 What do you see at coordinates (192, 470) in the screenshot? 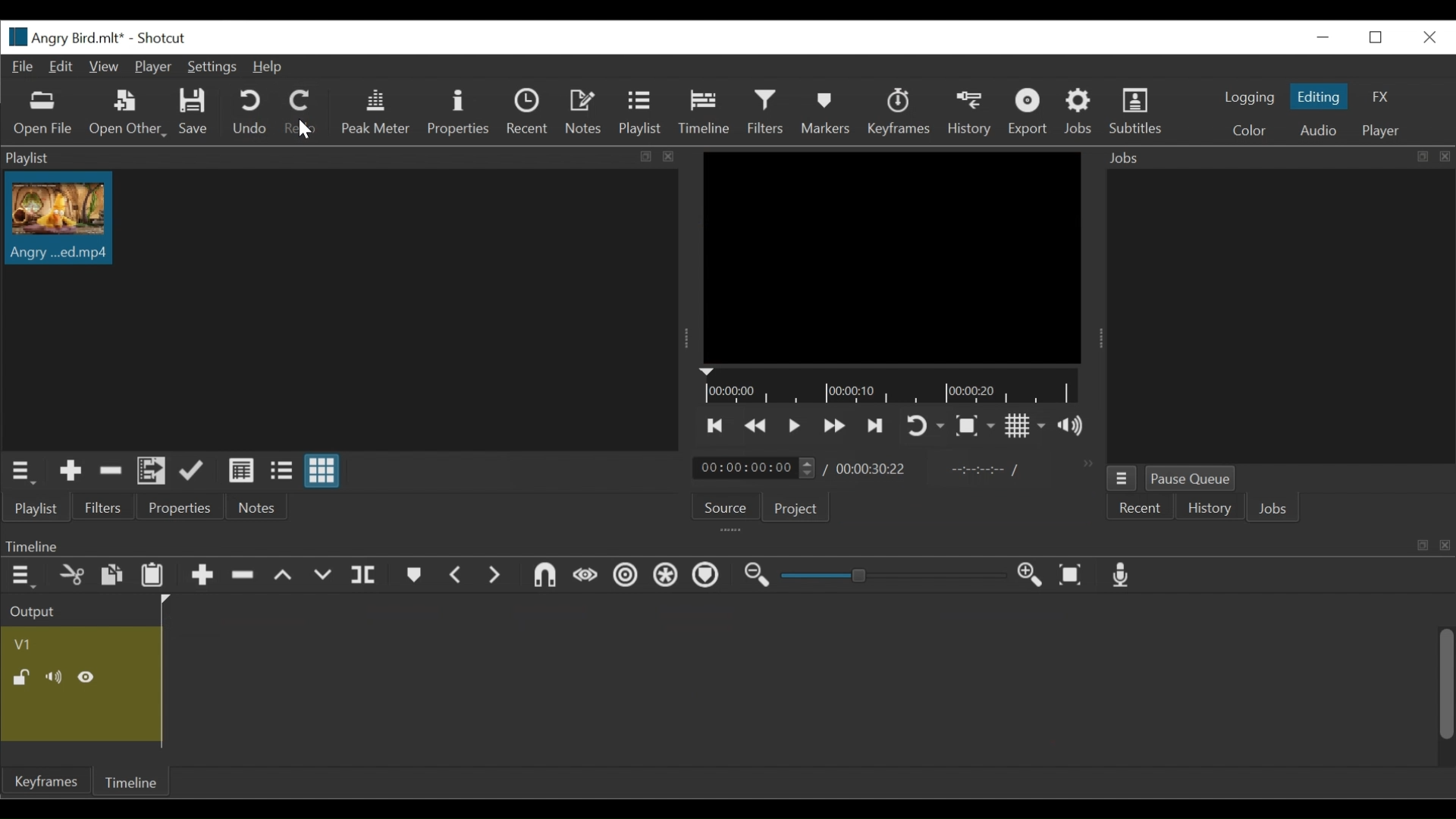
I see `Update` at bounding box center [192, 470].